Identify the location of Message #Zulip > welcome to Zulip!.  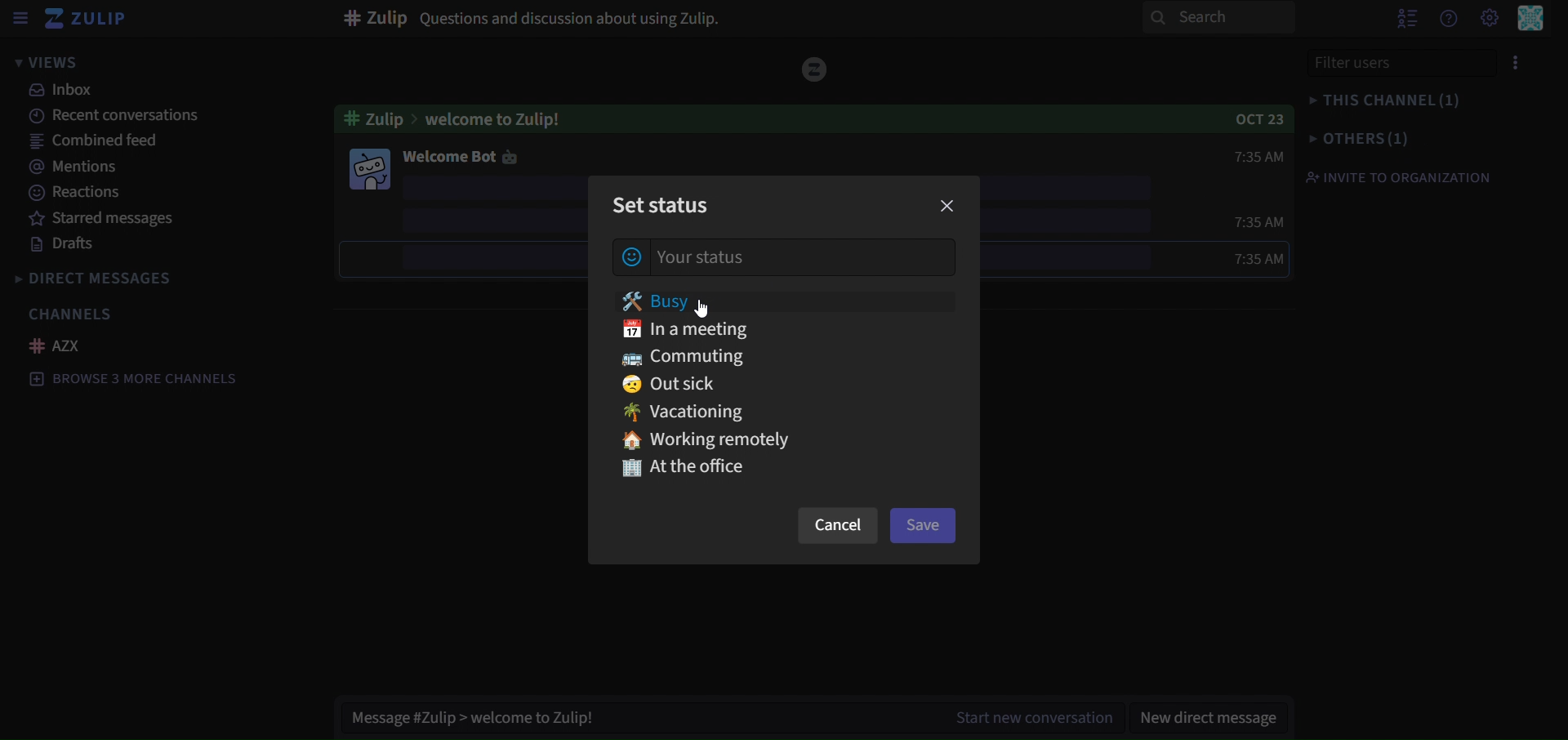
(479, 716).